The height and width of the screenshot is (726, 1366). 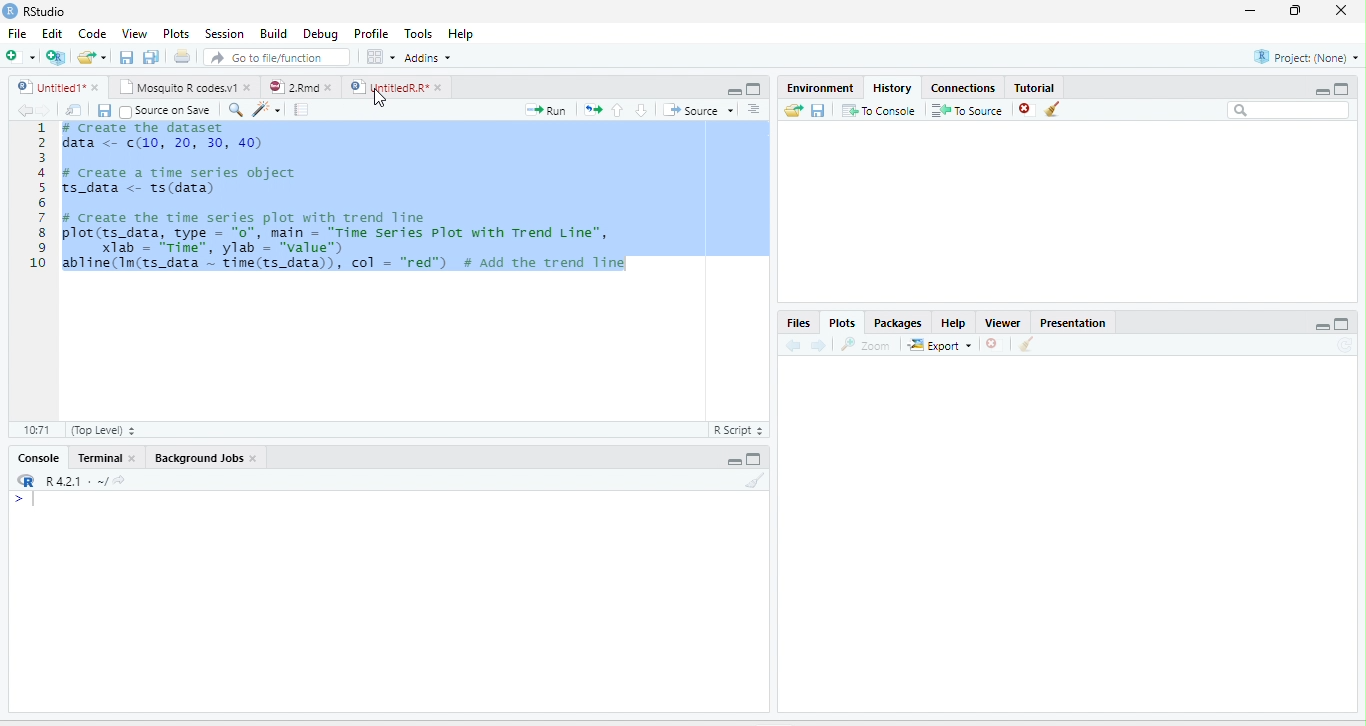 I want to click on Code tools, so click(x=266, y=109).